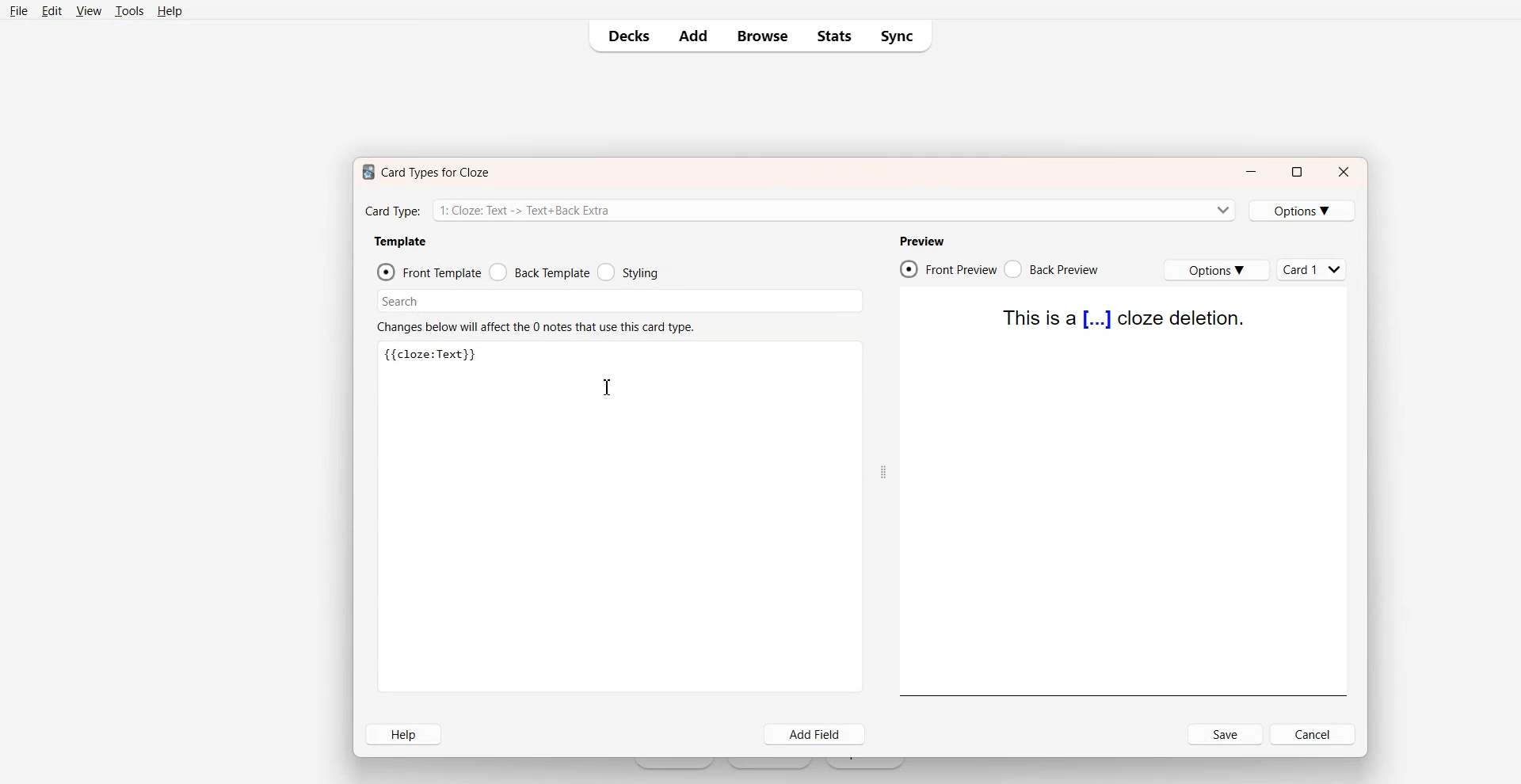 This screenshot has width=1521, height=784. Describe the element at coordinates (623, 36) in the screenshot. I see `Decks` at that location.